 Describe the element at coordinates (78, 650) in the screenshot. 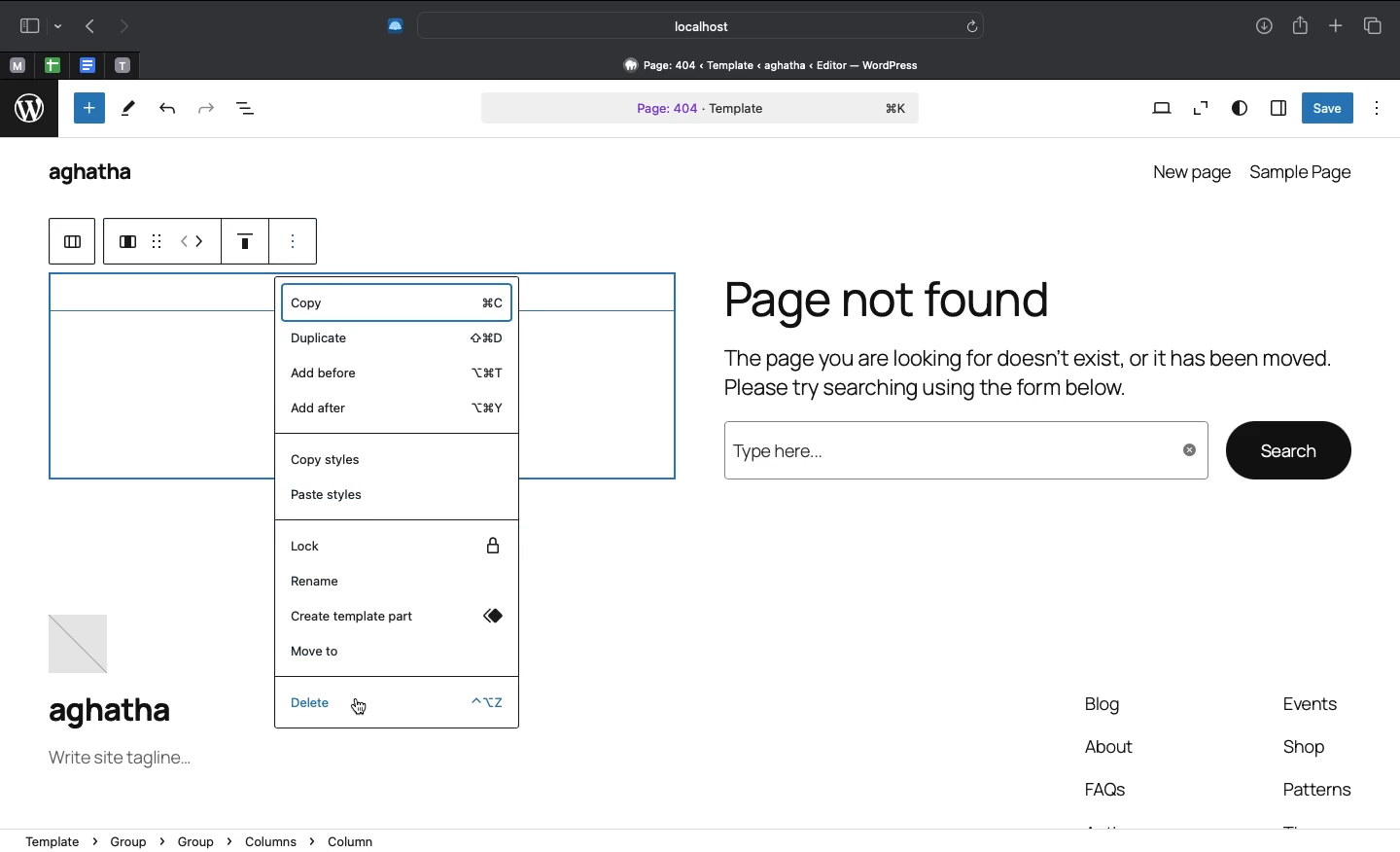

I see `Image` at that location.